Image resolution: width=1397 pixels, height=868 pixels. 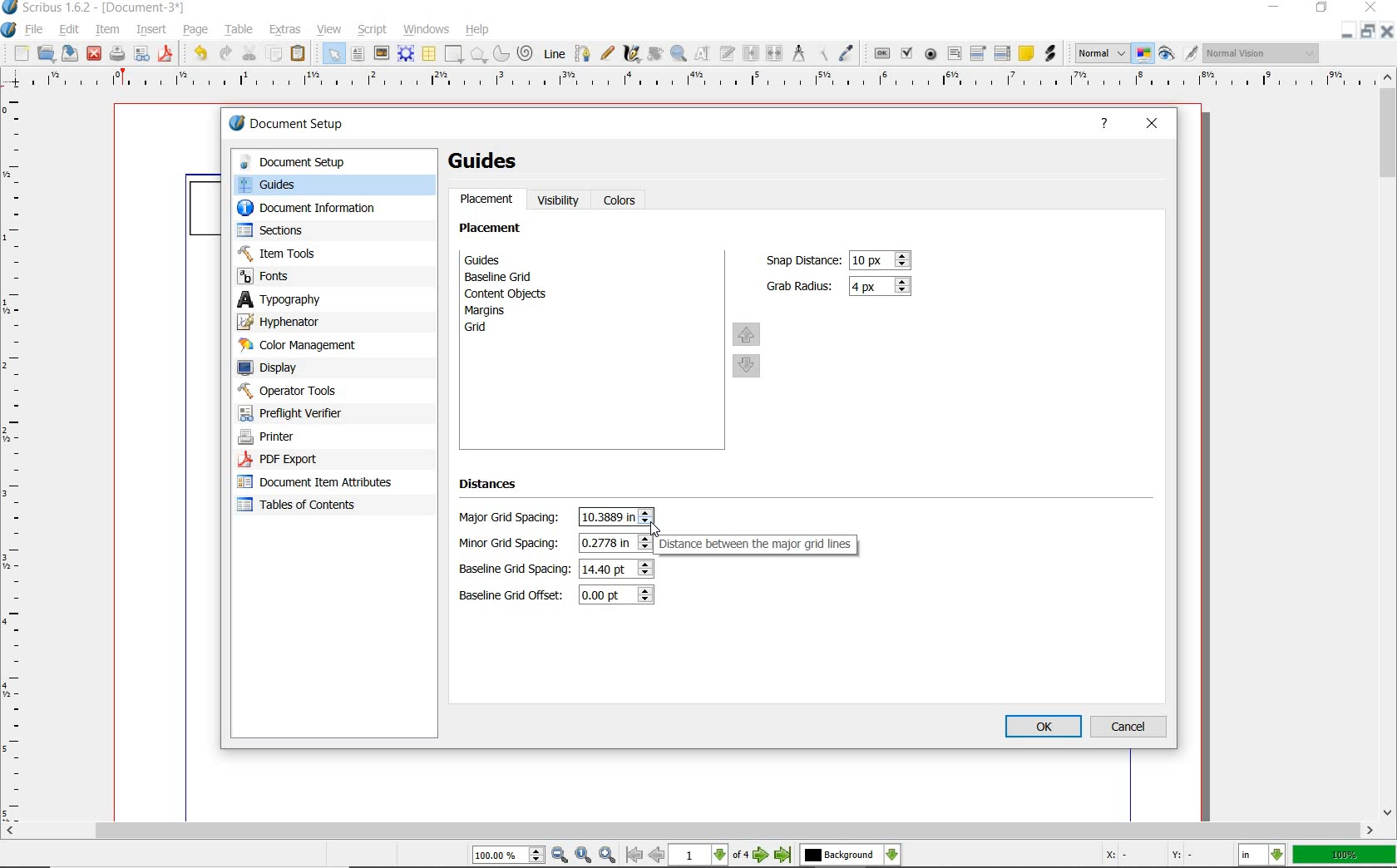 I want to click on table, so click(x=237, y=31).